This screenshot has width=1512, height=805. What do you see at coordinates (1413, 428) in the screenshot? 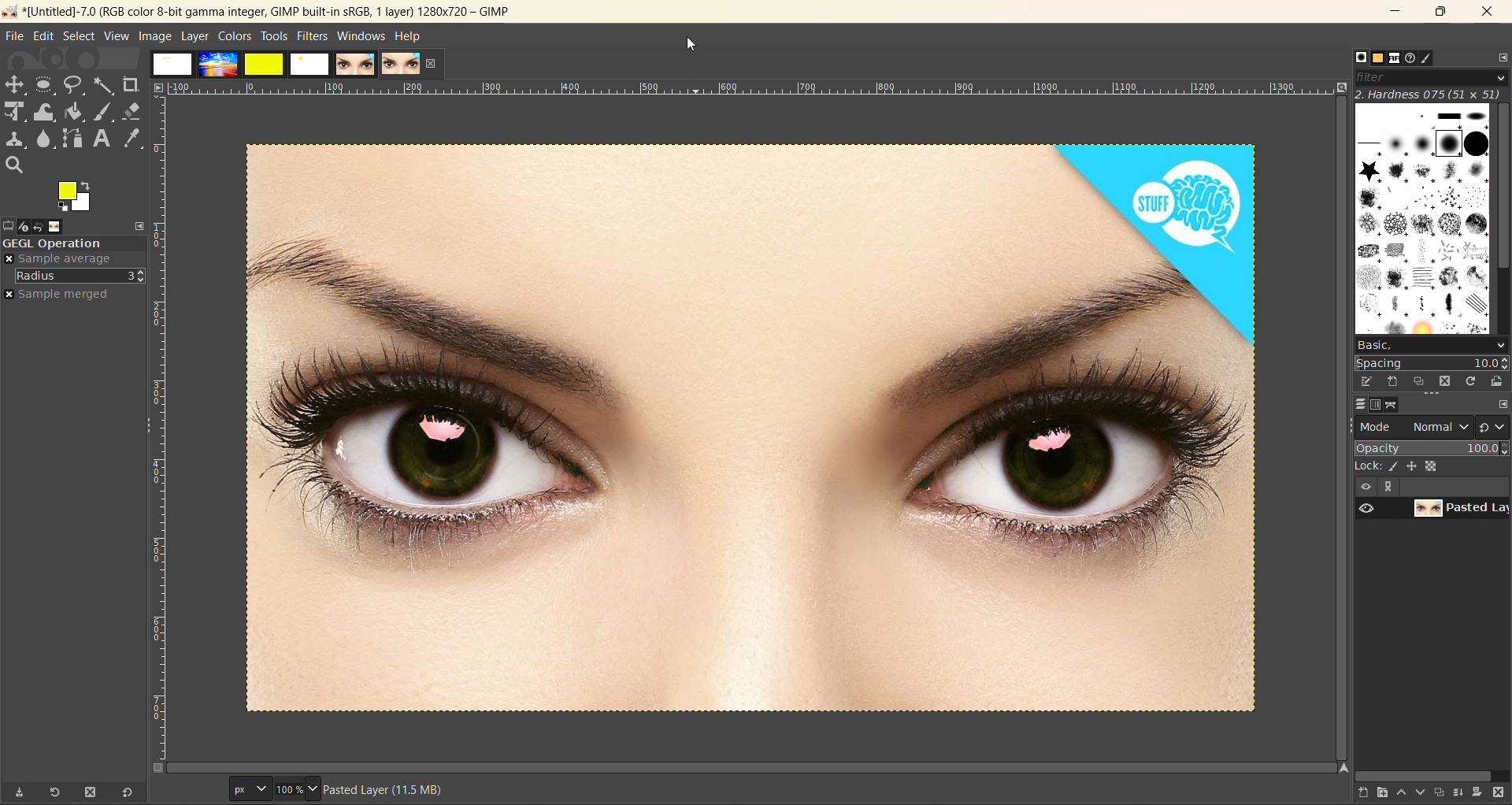
I see `mode` at bounding box center [1413, 428].